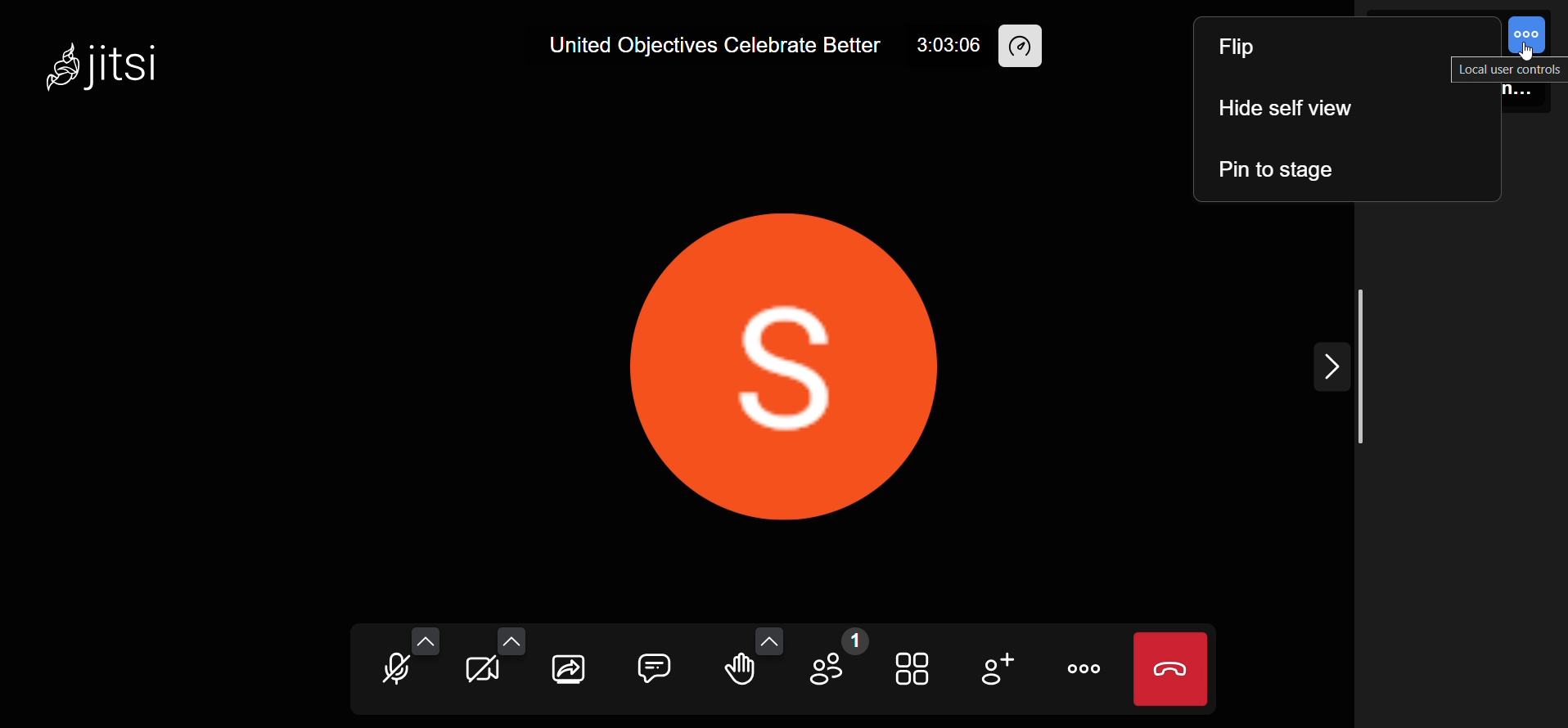 Image resolution: width=1568 pixels, height=728 pixels. Describe the element at coordinates (106, 63) in the screenshot. I see `jitsi` at that location.